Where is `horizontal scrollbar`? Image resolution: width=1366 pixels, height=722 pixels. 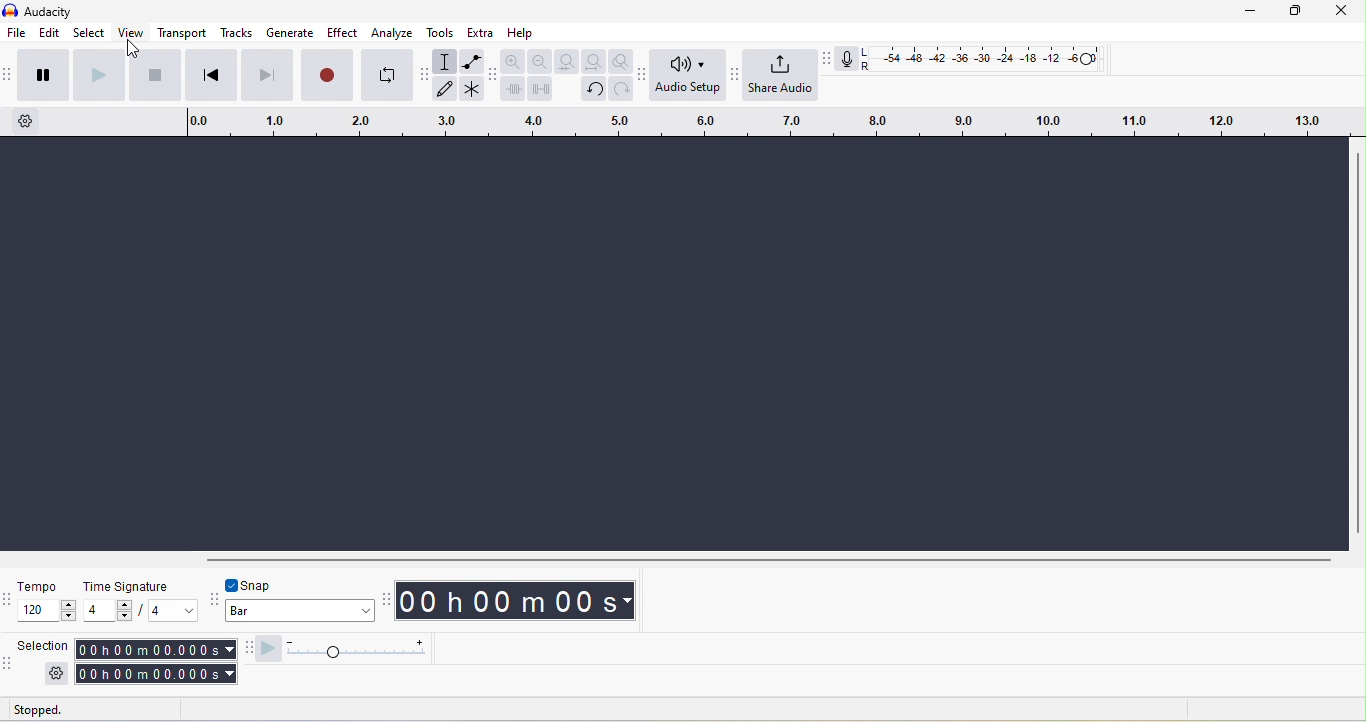 horizontal scrollbar is located at coordinates (769, 561).